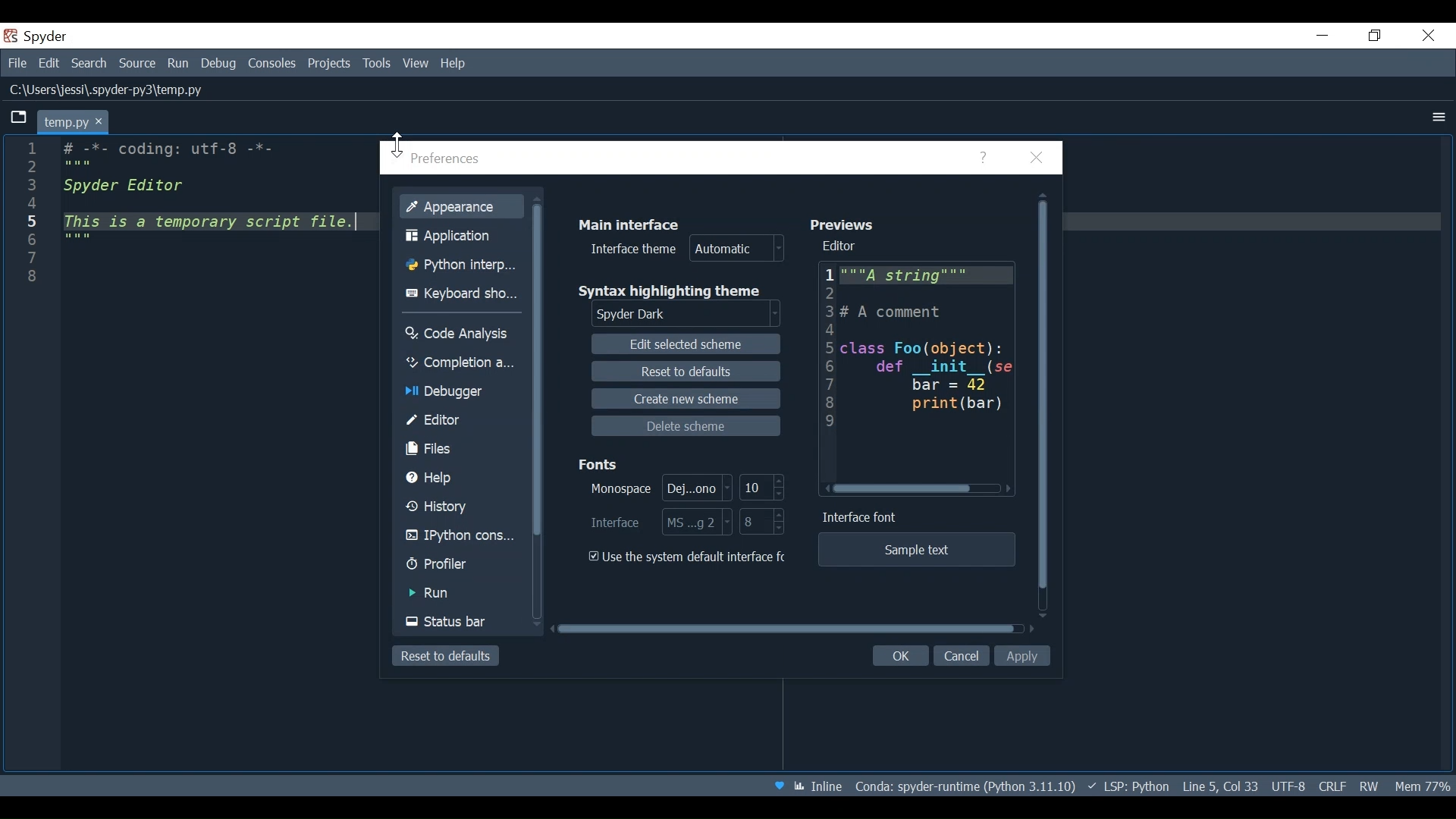  I want to click on Appearance, so click(462, 206).